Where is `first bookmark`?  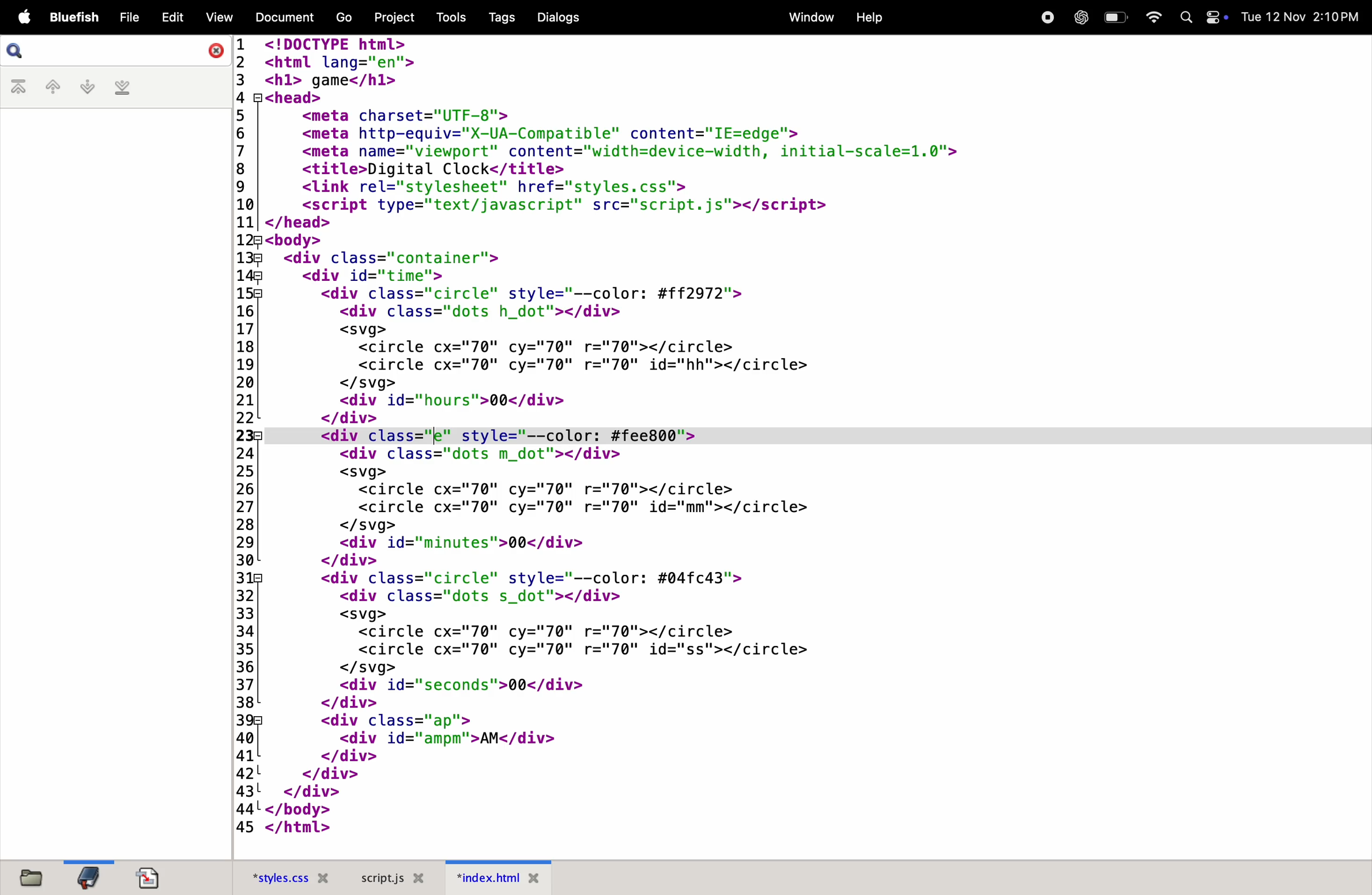
first bookmark is located at coordinates (18, 88).